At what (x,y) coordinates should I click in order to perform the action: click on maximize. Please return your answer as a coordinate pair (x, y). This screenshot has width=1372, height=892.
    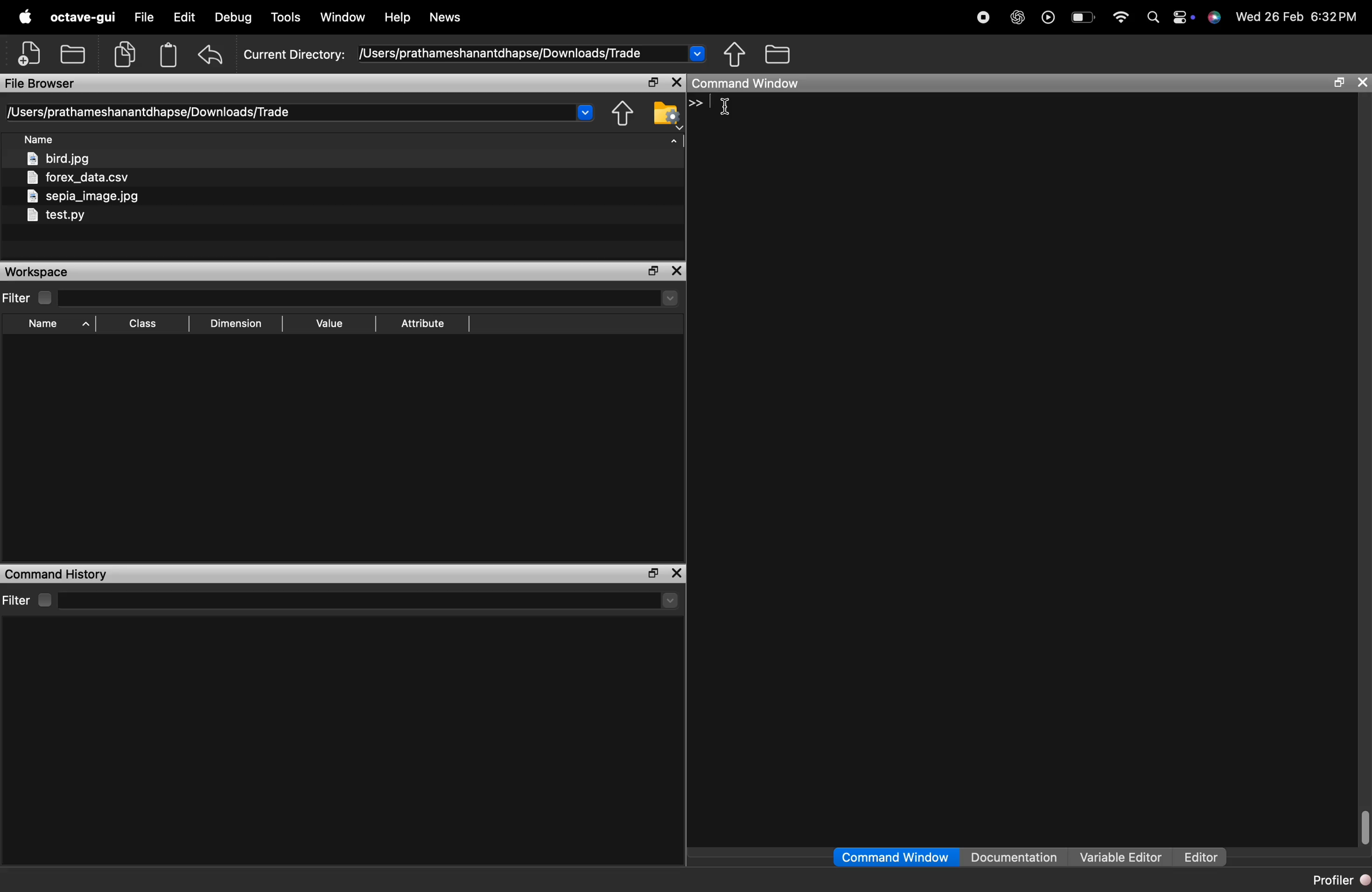
    Looking at the image, I should click on (1337, 83).